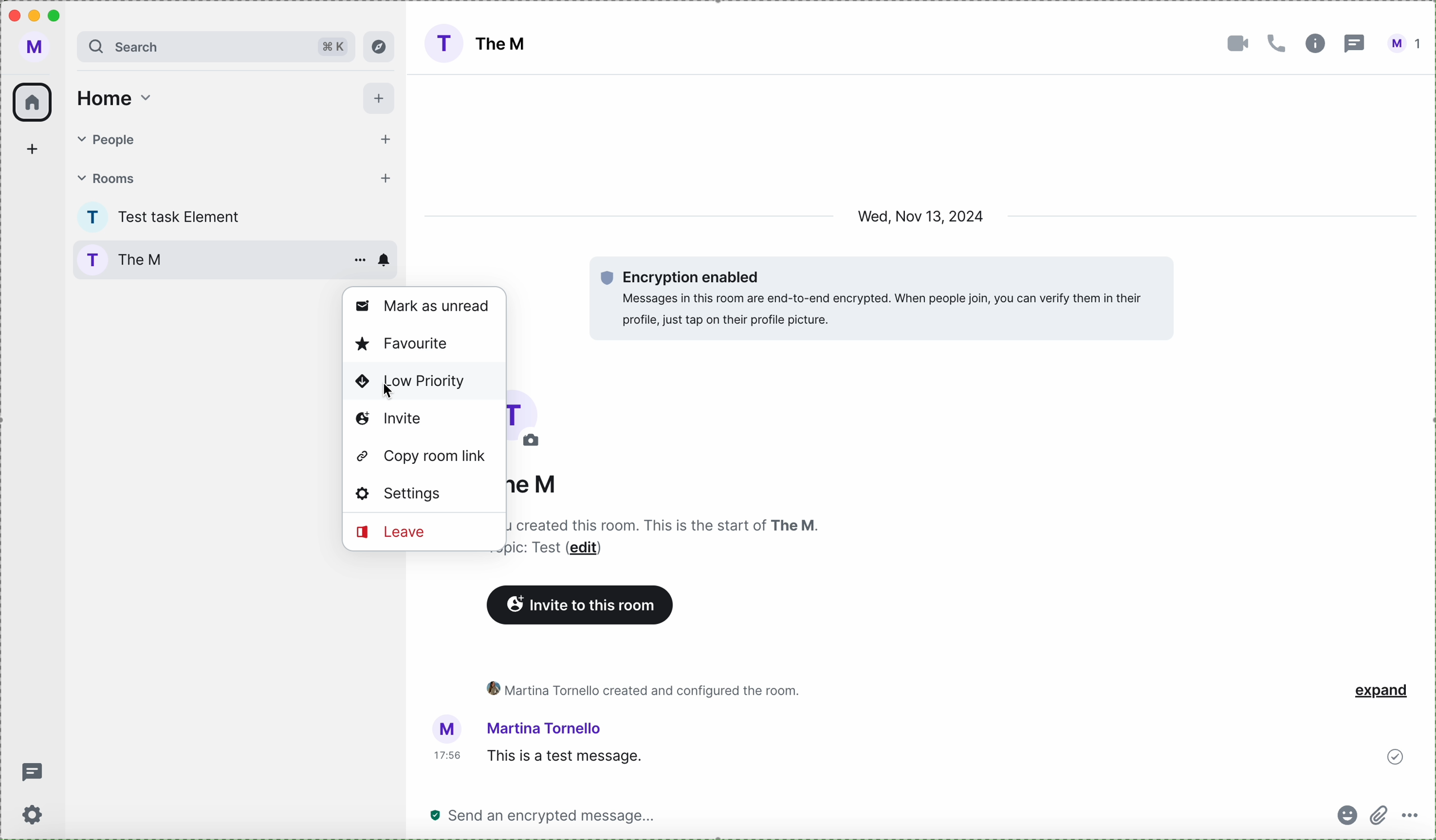 Image resolution: width=1436 pixels, height=840 pixels. Describe the element at coordinates (534, 442) in the screenshot. I see `edit` at that location.